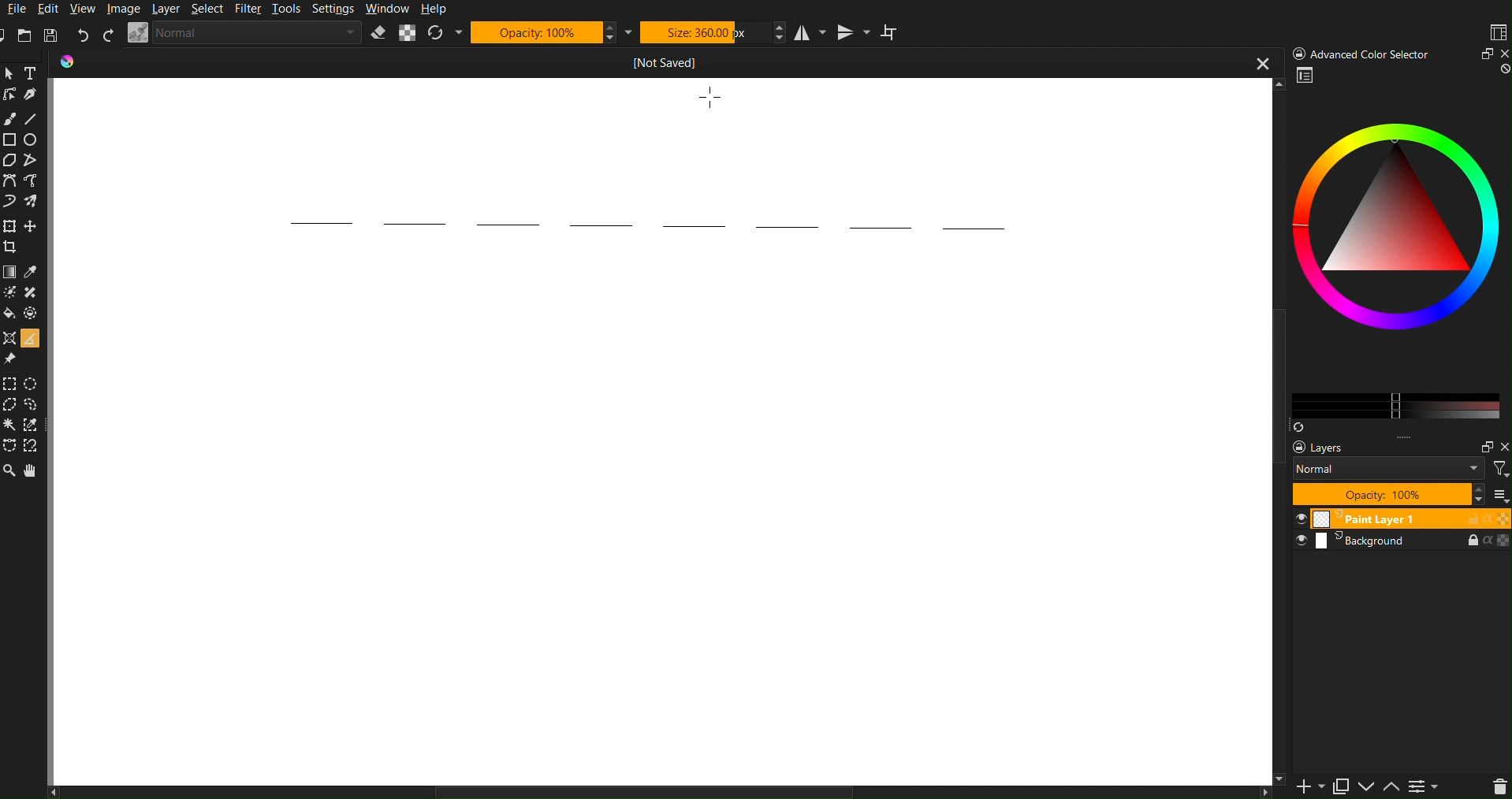 The image size is (1512, 799). What do you see at coordinates (713, 97) in the screenshot?
I see `Cursor` at bounding box center [713, 97].